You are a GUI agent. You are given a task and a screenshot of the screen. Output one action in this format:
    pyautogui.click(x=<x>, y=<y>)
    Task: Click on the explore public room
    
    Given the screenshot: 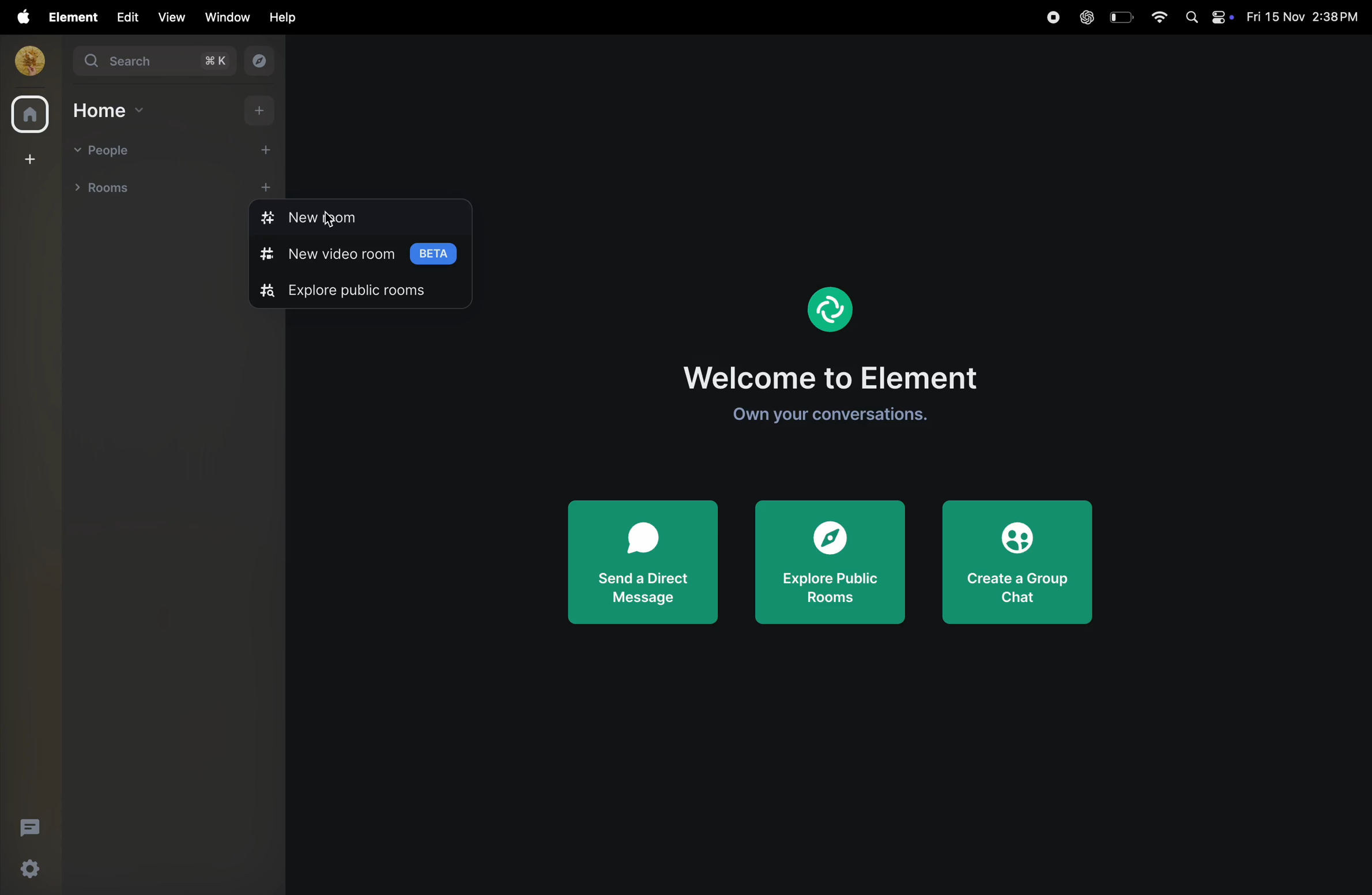 What is the action you would take?
    pyautogui.click(x=353, y=293)
    